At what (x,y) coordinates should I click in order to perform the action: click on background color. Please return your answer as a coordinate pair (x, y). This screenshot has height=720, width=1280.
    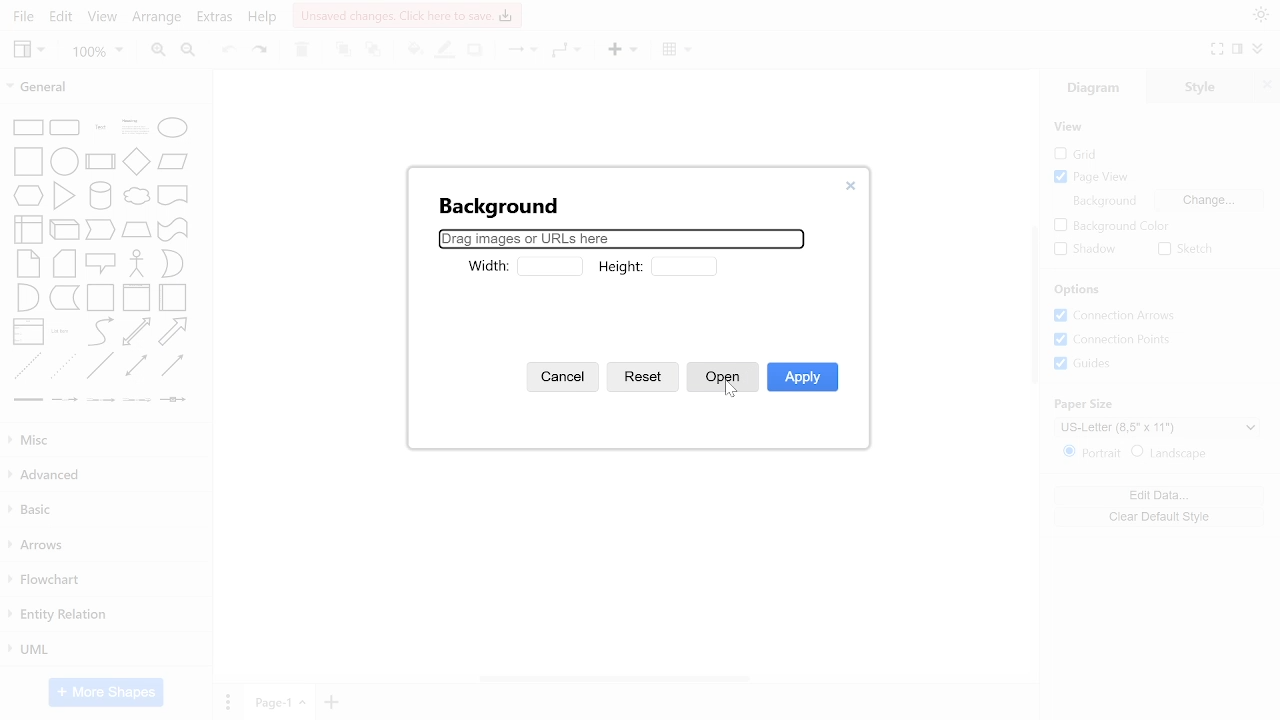
    Looking at the image, I should click on (1110, 225).